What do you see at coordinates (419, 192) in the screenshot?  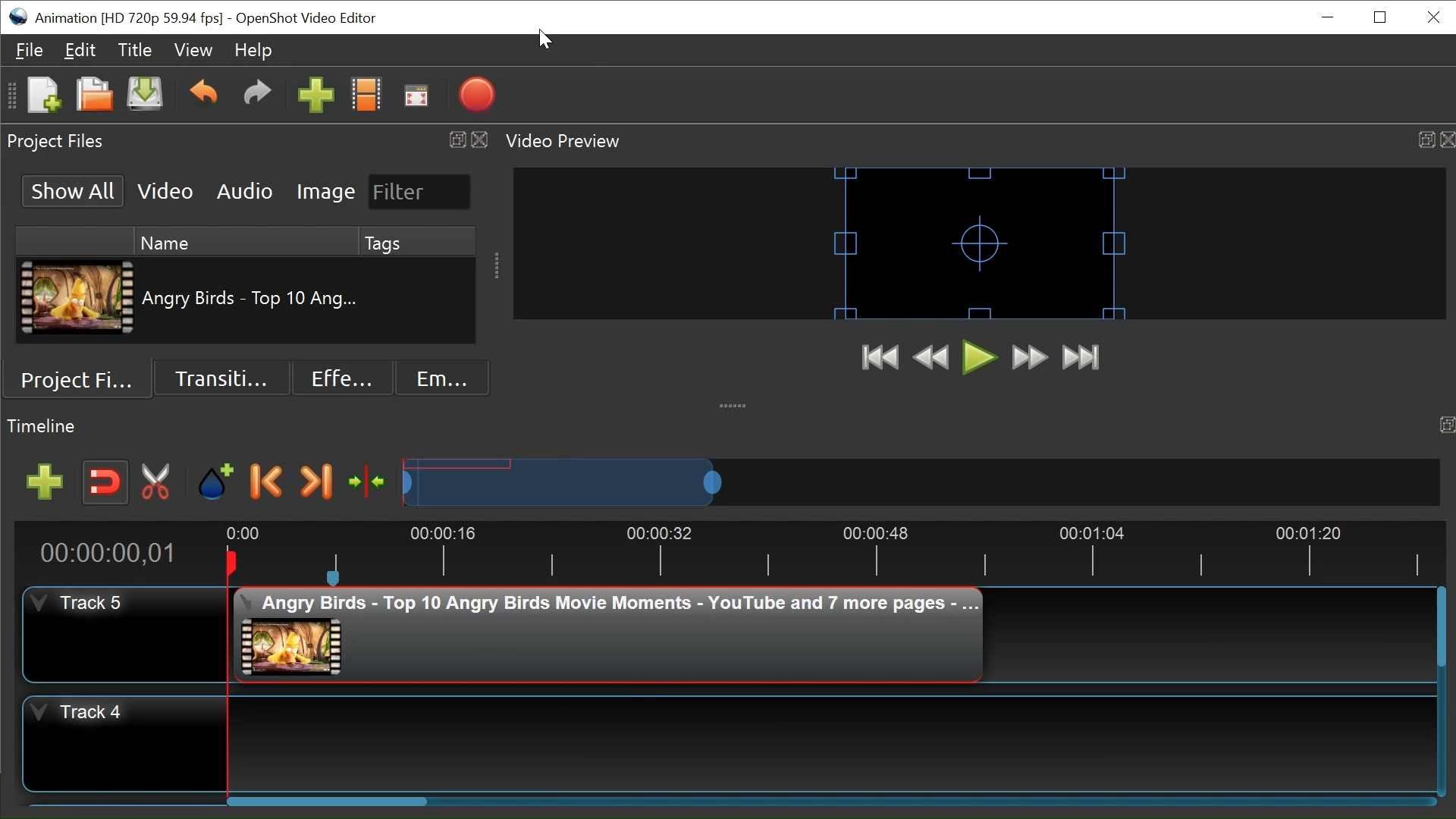 I see `Filter` at bounding box center [419, 192].